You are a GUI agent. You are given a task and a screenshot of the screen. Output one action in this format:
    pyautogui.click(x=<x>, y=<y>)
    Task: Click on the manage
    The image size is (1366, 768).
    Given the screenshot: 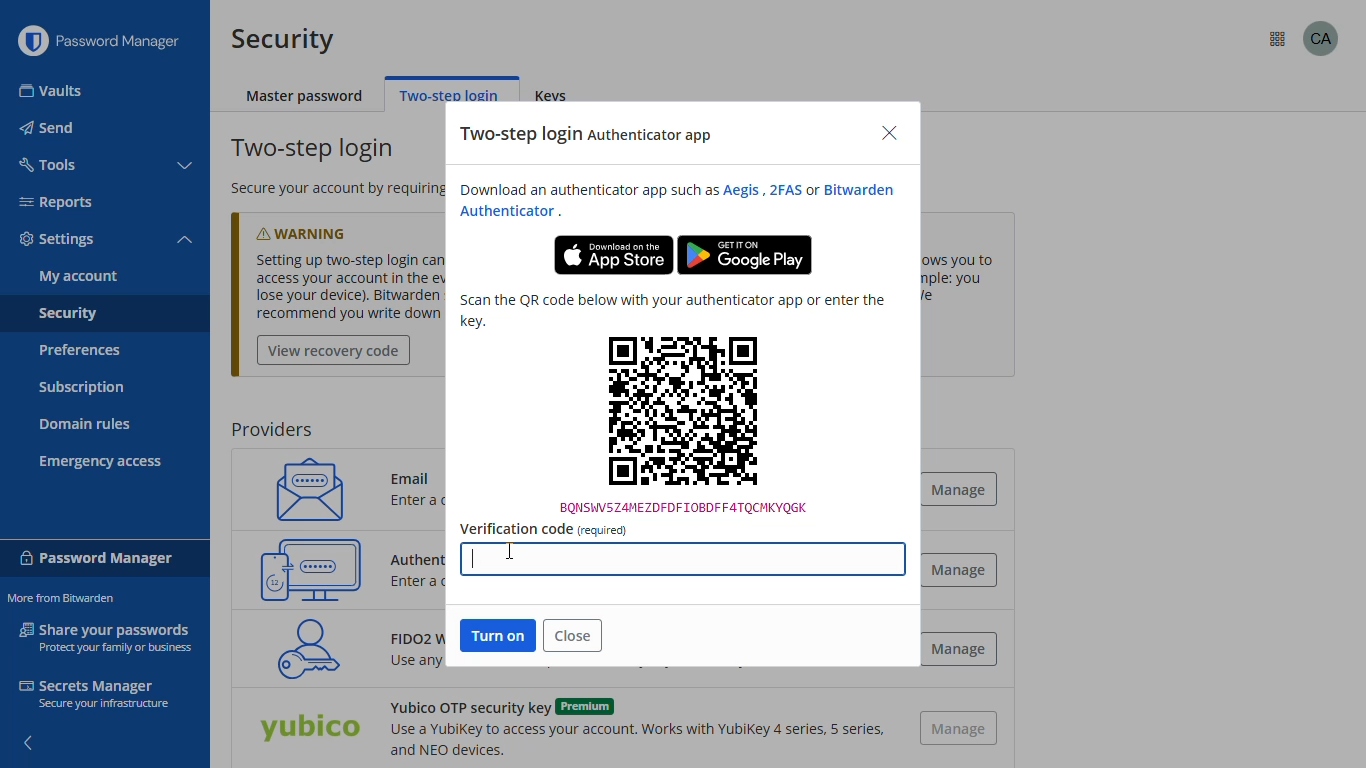 What is the action you would take?
    pyautogui.click(x=958, y=649)
    